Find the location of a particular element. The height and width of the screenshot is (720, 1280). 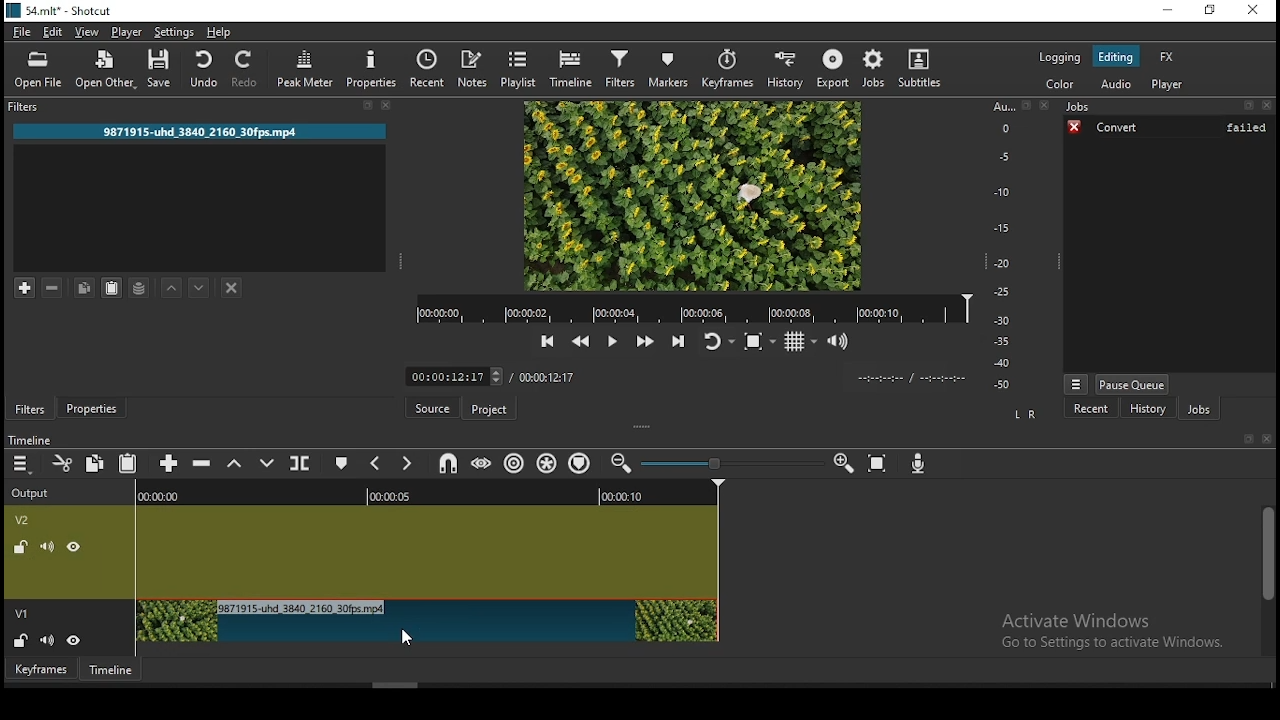

settings is located at coordinates (174, 33).